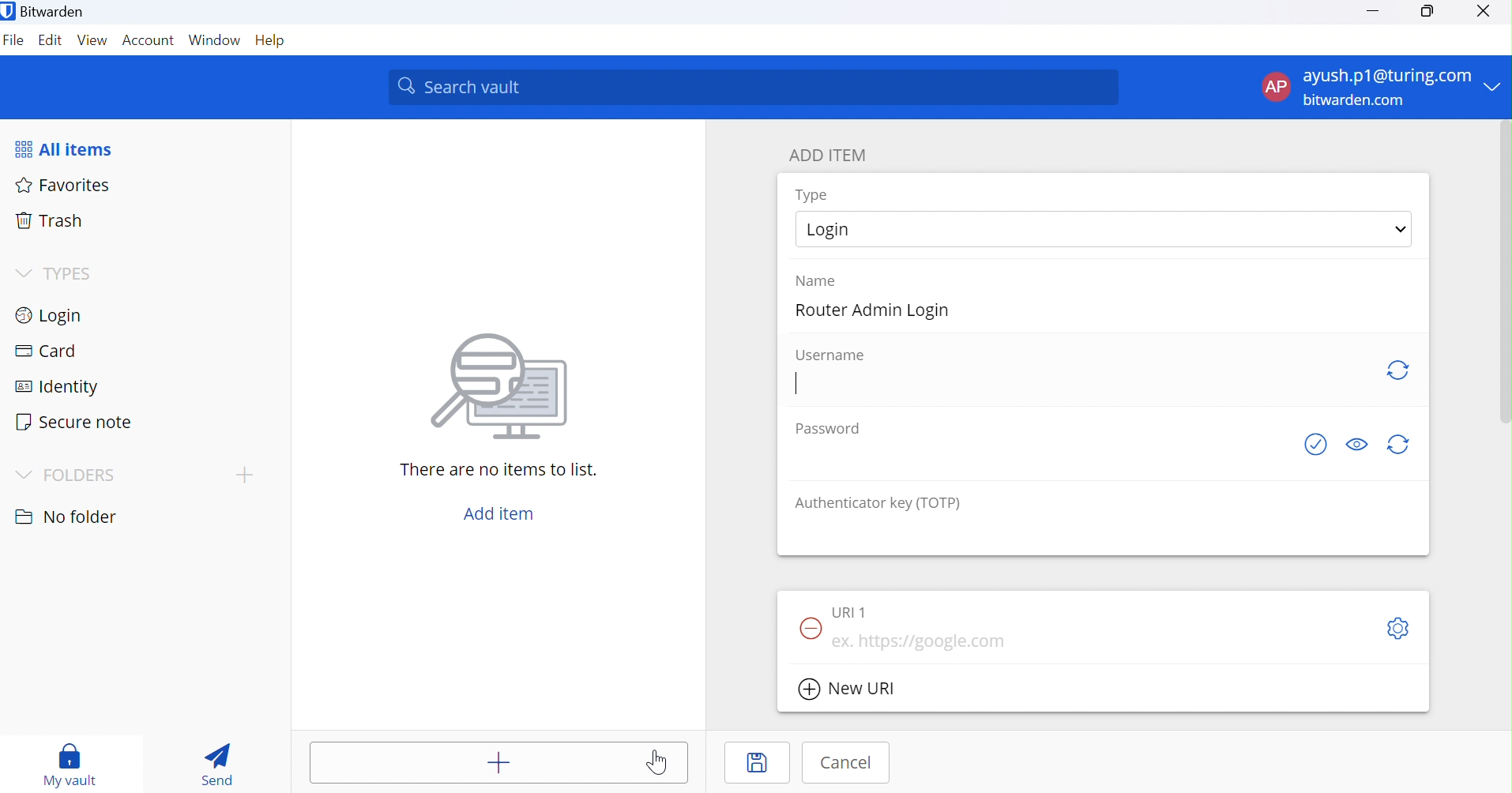 This screenshot has width=1512, height=793. I want to click on Account, so click(149, 41).